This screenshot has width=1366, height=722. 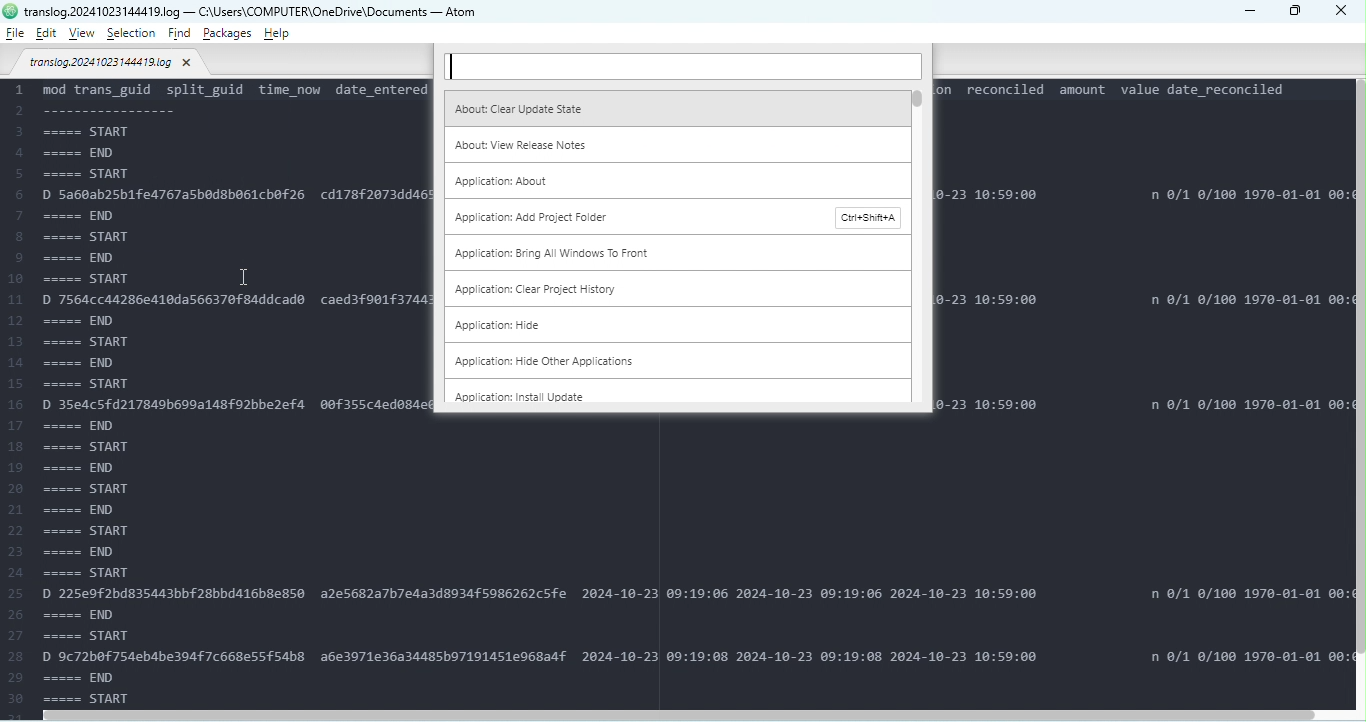 What do you see at coordinates (673, 255) in the screenshot?
I see `Application: Bring all windows to front` at bounding box center [673, 255].